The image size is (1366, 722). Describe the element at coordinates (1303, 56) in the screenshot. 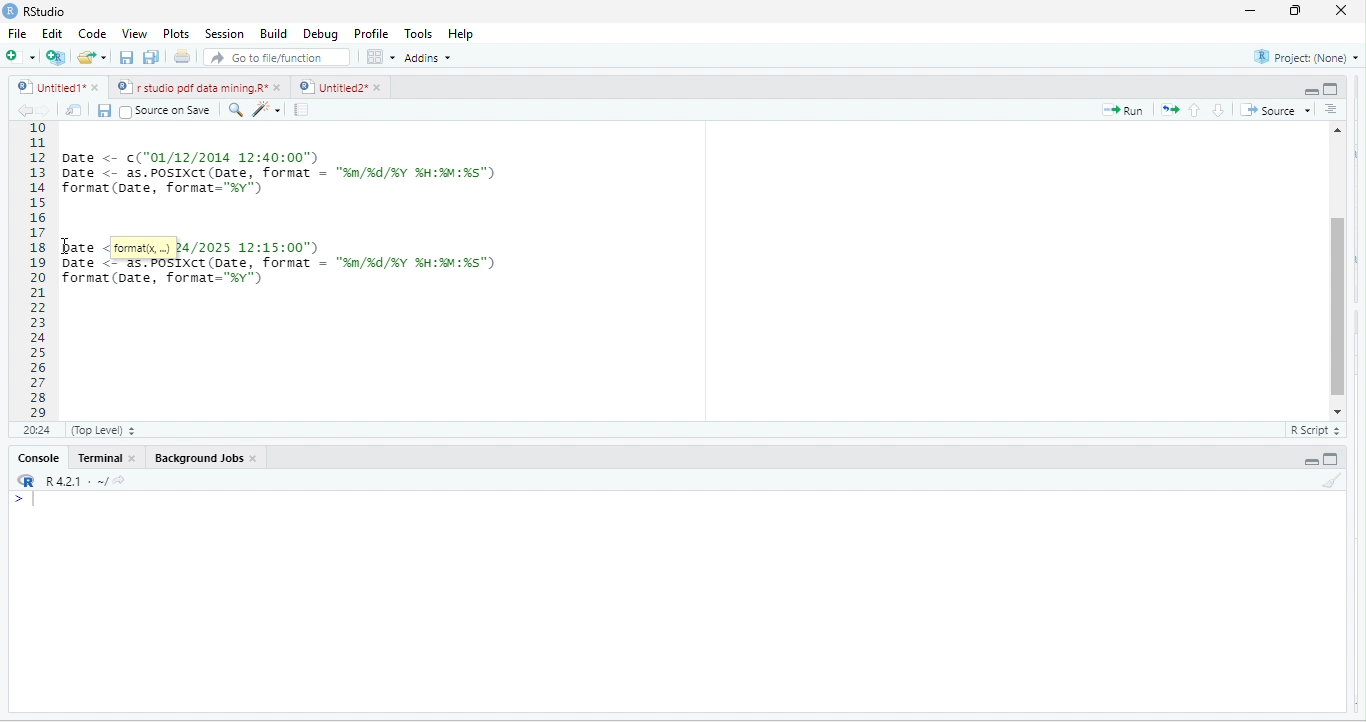

I see ` project: (None) ` at that location.